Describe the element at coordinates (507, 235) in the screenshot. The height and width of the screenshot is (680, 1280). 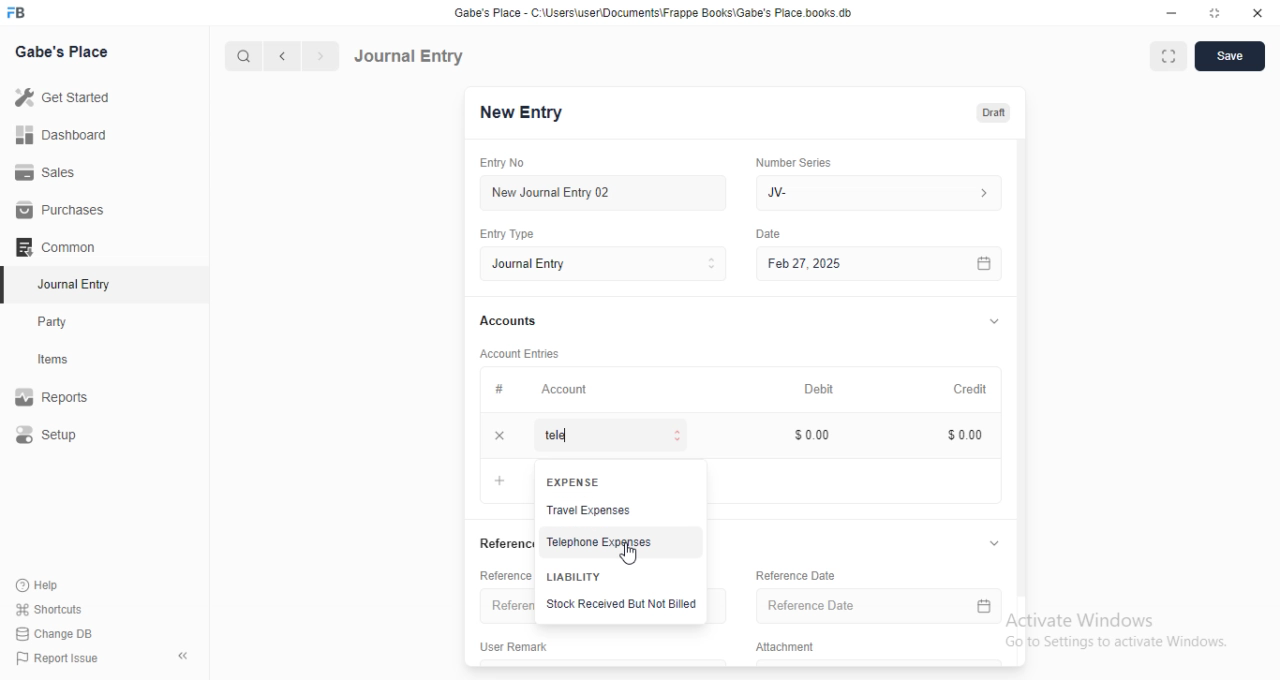
I see `Entry Type` at that location.